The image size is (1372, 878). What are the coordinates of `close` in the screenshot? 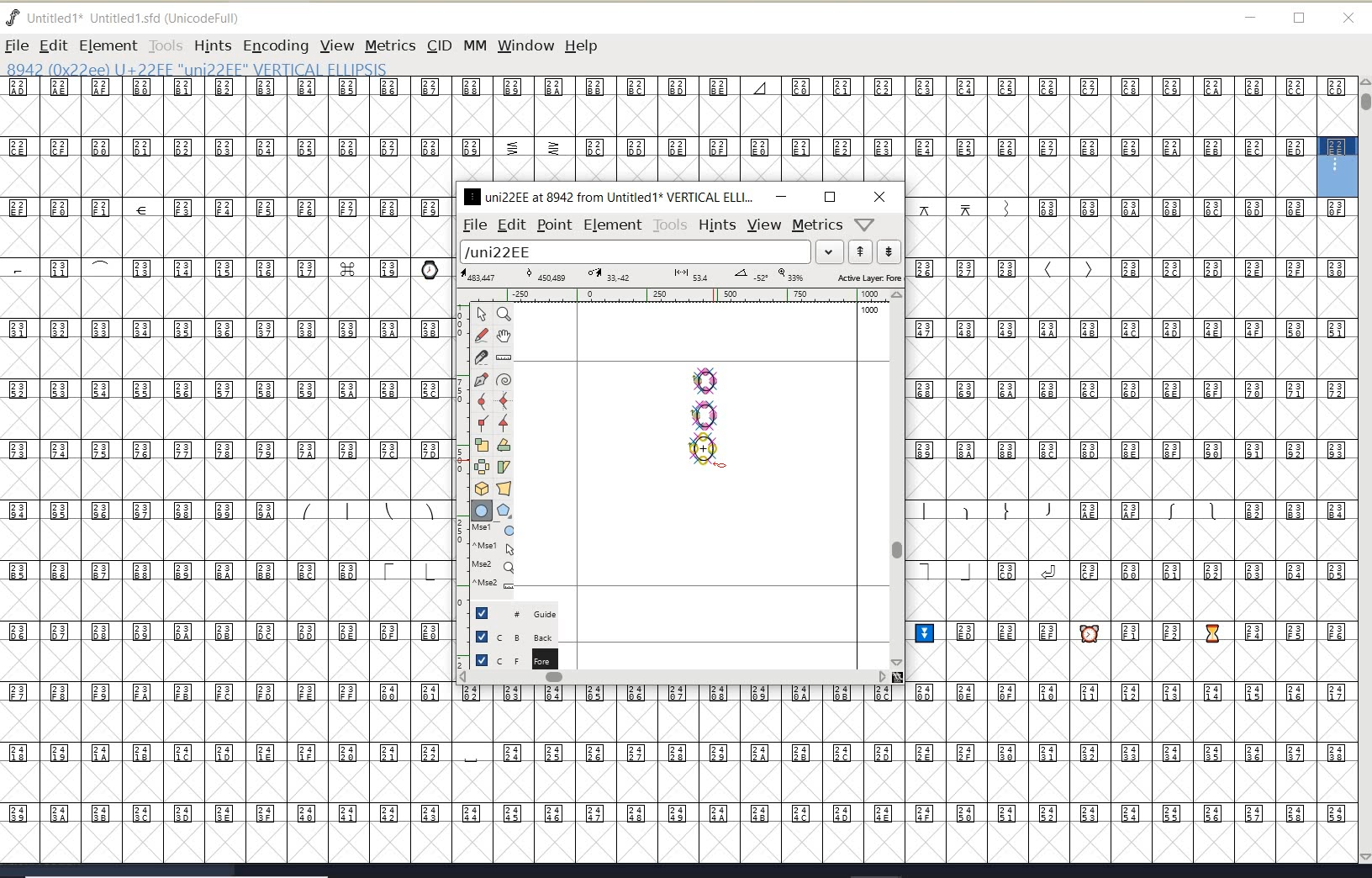 It's located at (880, 197).